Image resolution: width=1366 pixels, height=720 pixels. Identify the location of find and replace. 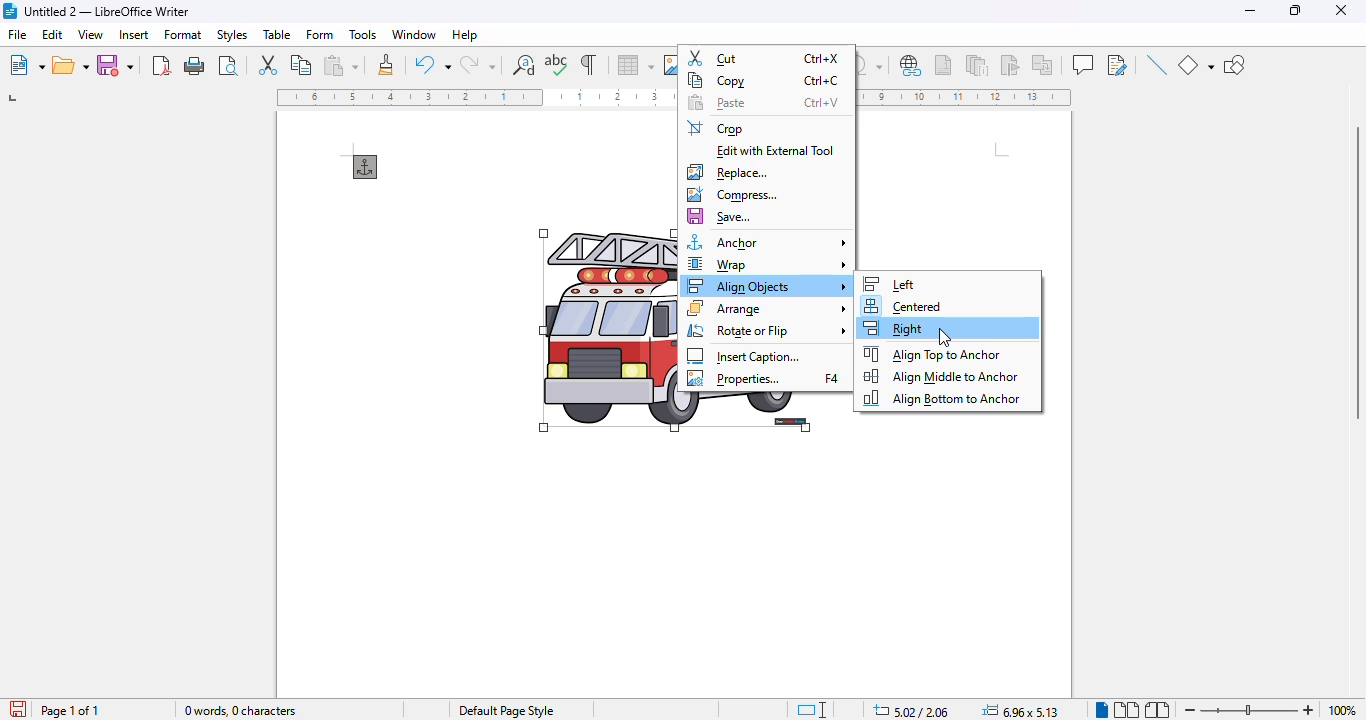
(524, 65).